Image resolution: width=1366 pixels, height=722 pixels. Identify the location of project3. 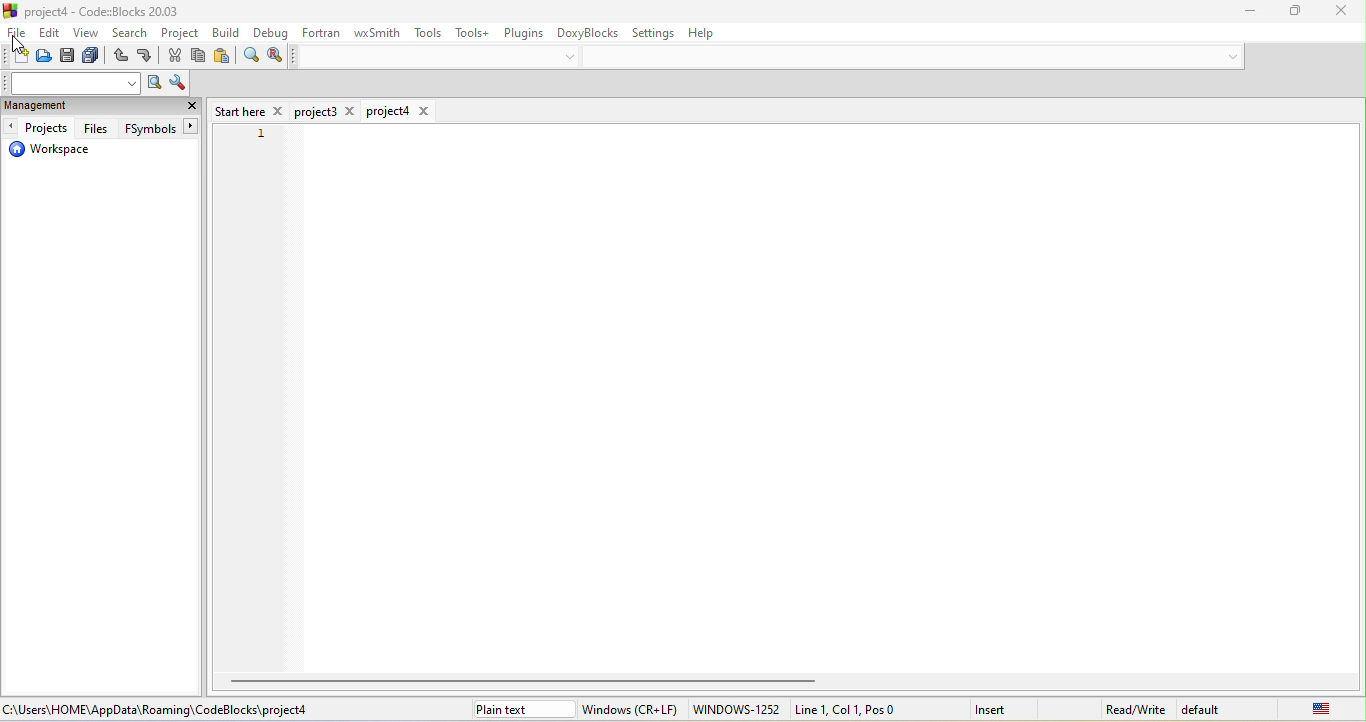
(327, 112).